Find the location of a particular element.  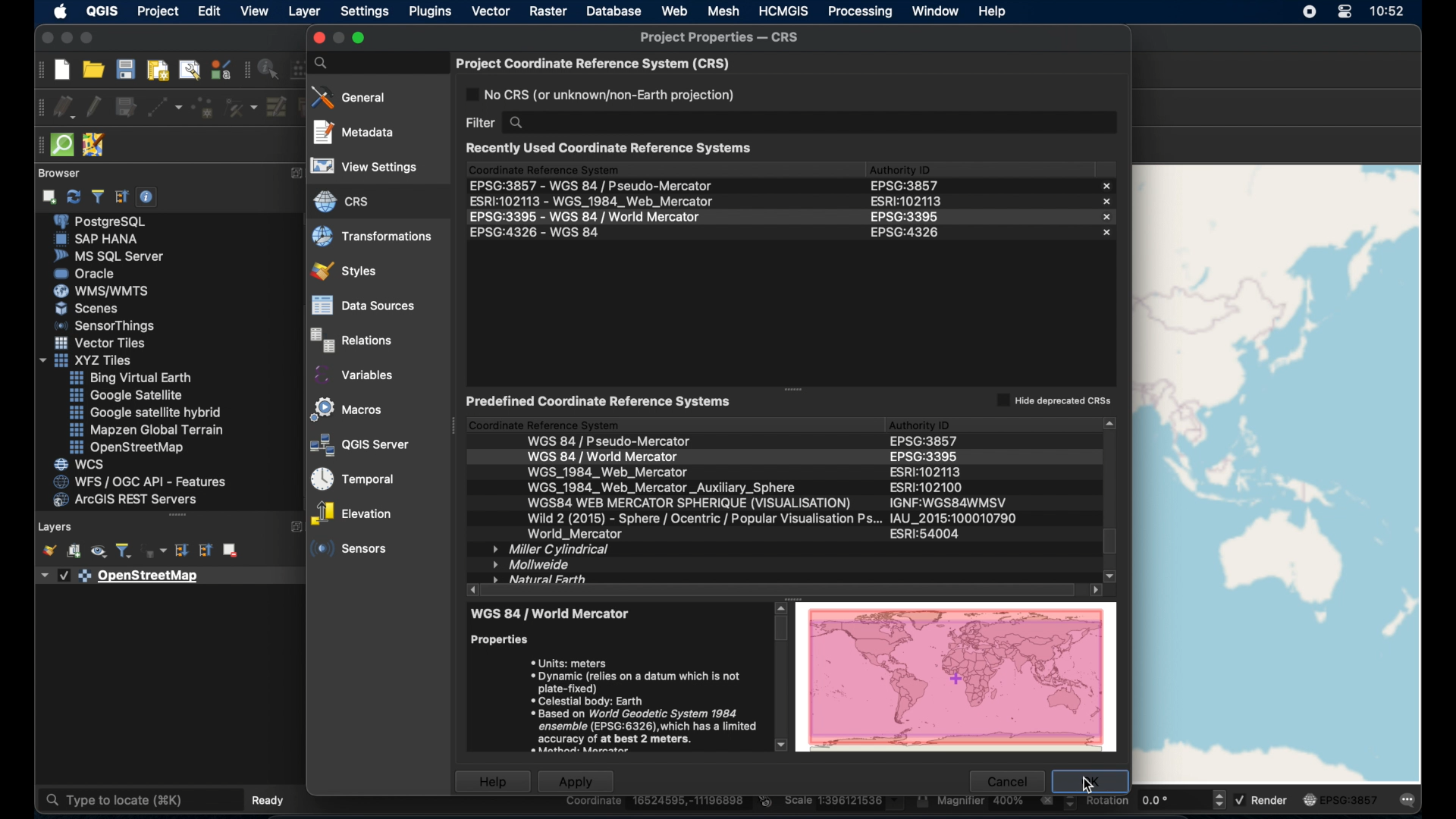

settings is located at coordinates (366, 11).